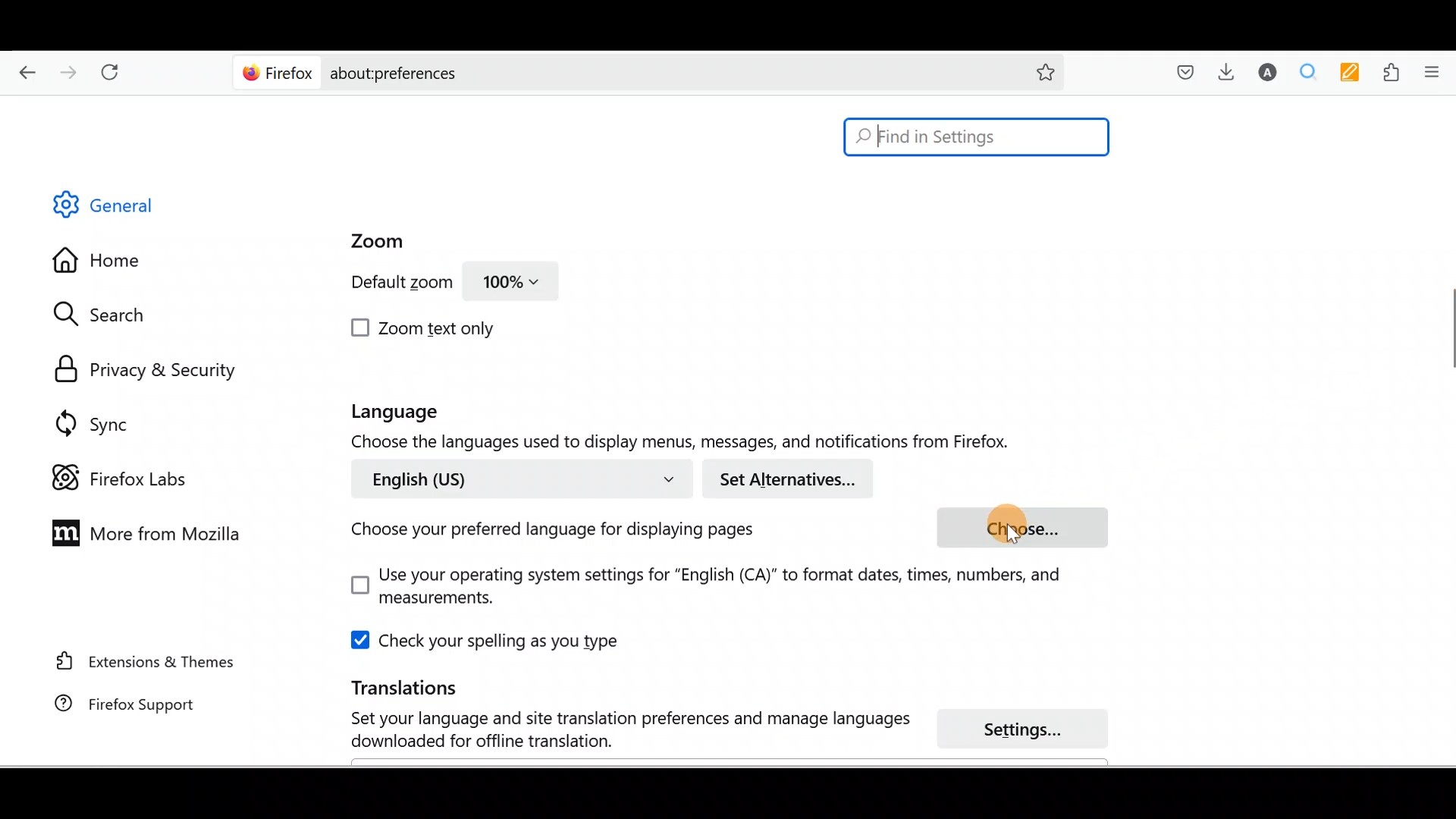  What do you see at coordinates (1264, 72) in the screenshot?
I see `Account` at bounding box center [1264, 72].